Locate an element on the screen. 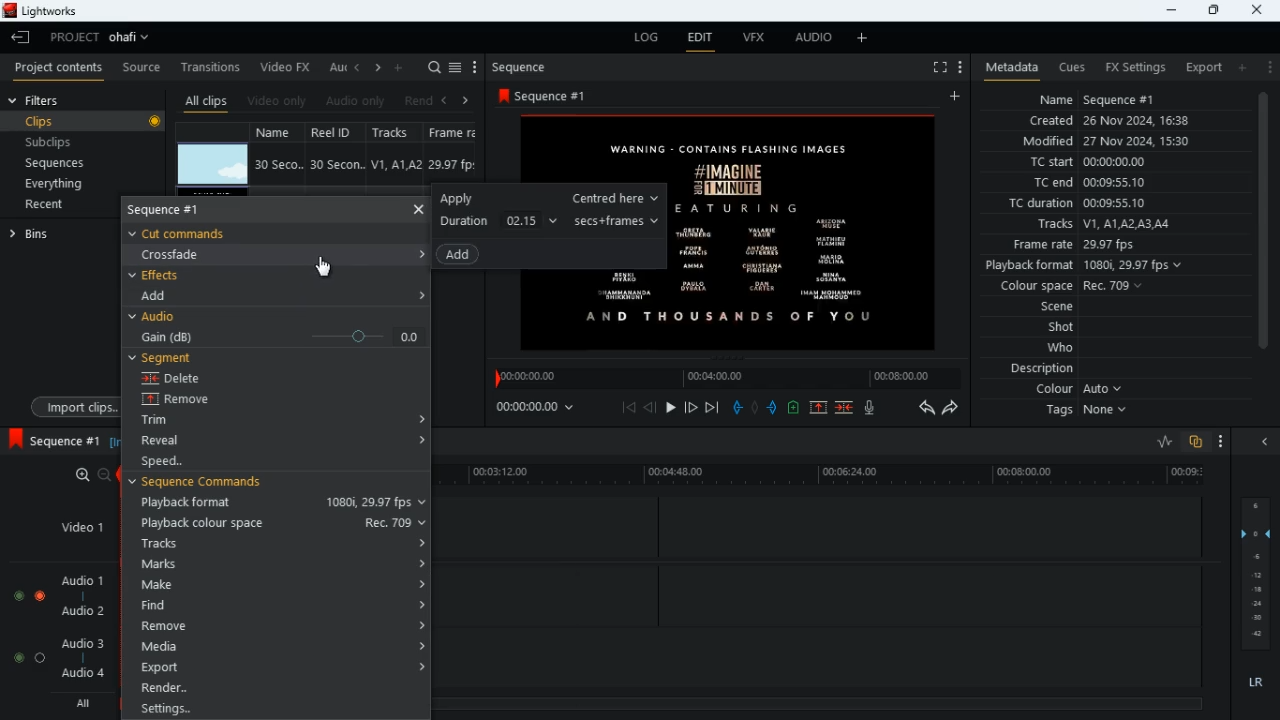 The height and width of the screenshot is (720, 1280). maximize is located at coordinates (1213, 10).